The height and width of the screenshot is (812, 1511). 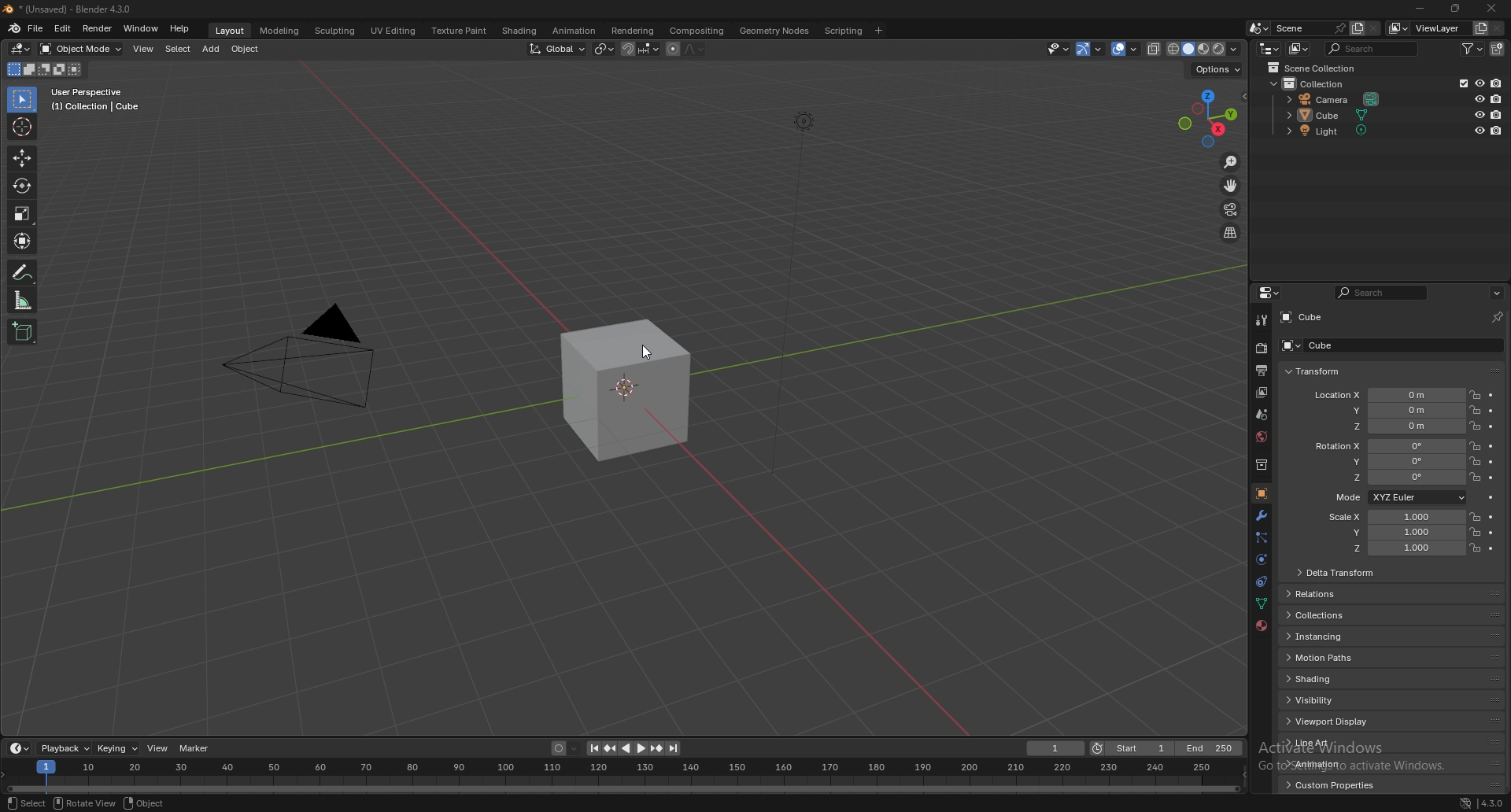 What do you see at coordinates (610, 749) in the screenshot?
I see `jump to keyframe` at bounding box center [610, 749].